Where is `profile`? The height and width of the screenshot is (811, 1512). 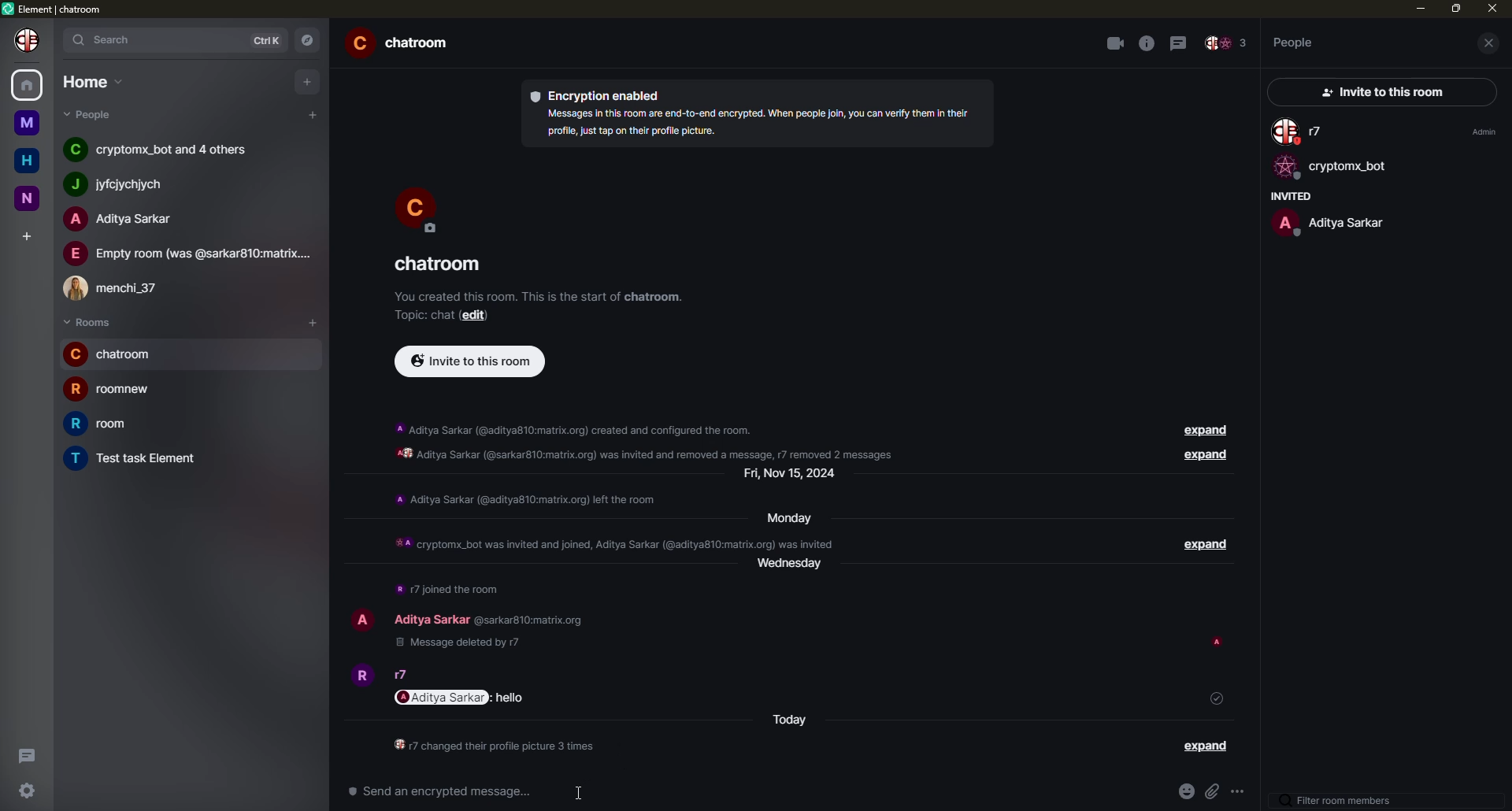 profile is located at coordinates (417, 208).